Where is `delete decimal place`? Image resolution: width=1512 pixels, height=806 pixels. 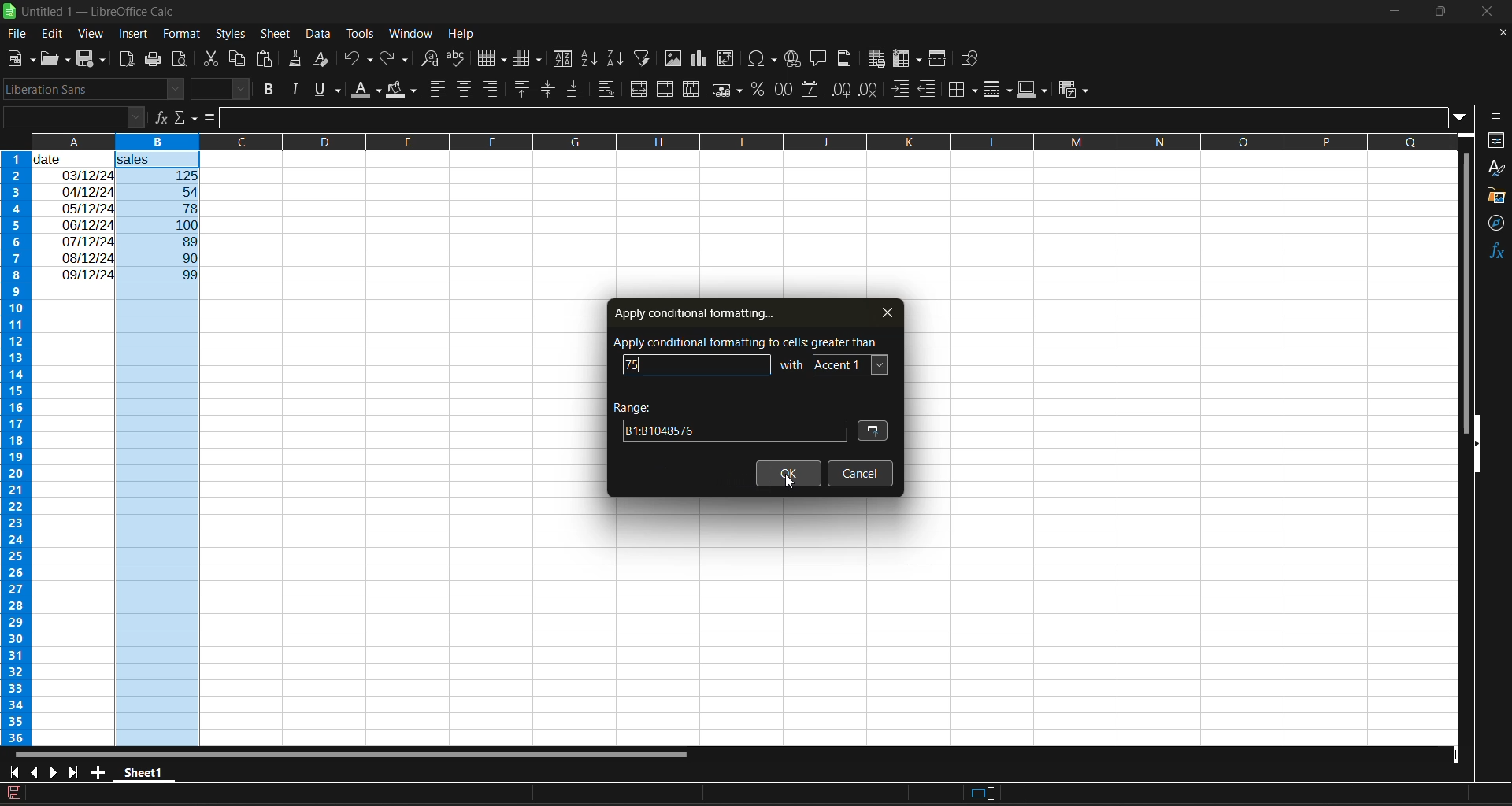 delete decimal place is located at coordinates (869, 91).